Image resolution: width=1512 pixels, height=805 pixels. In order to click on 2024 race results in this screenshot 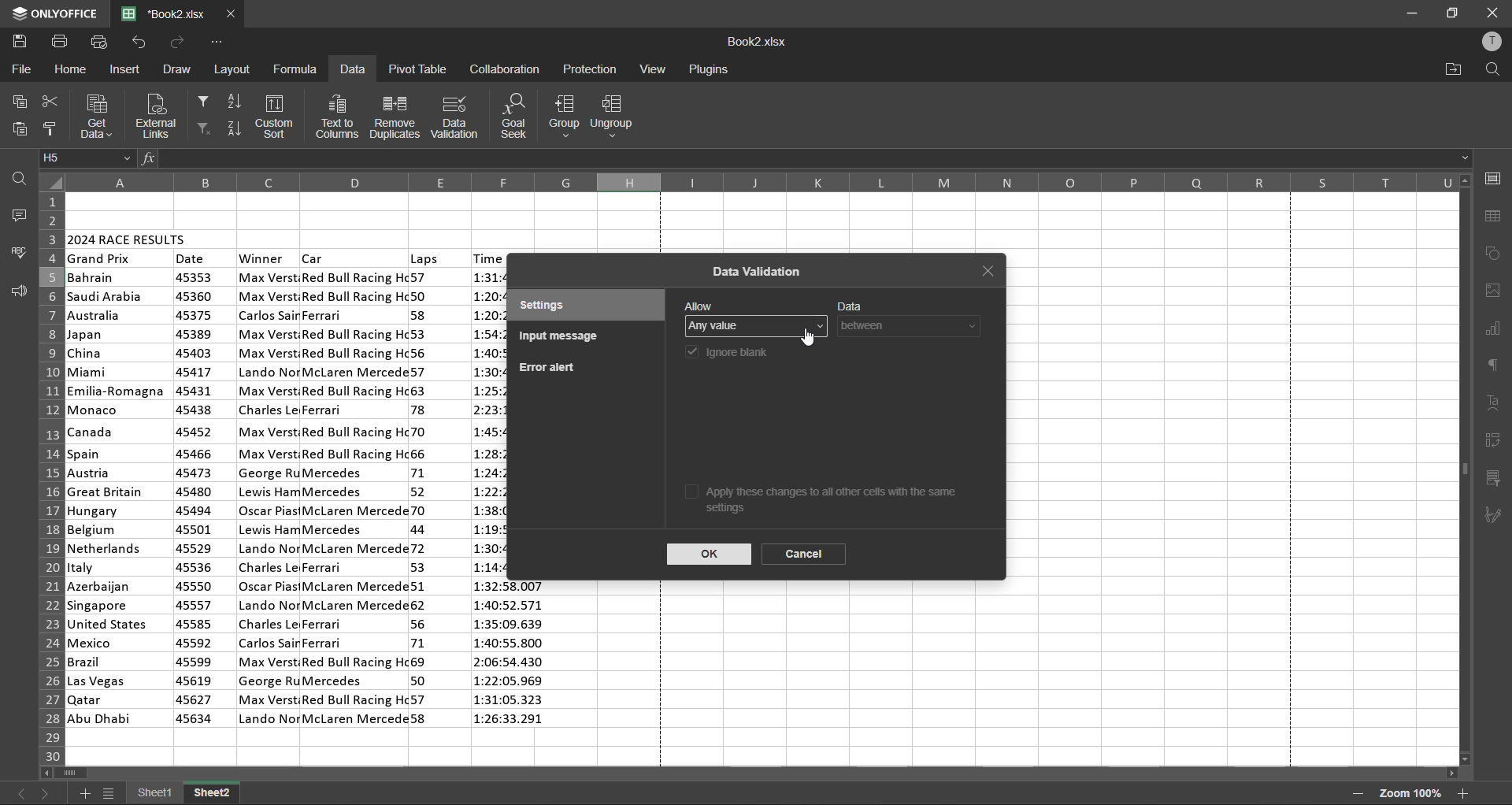, I will do `click(129, 237)`.